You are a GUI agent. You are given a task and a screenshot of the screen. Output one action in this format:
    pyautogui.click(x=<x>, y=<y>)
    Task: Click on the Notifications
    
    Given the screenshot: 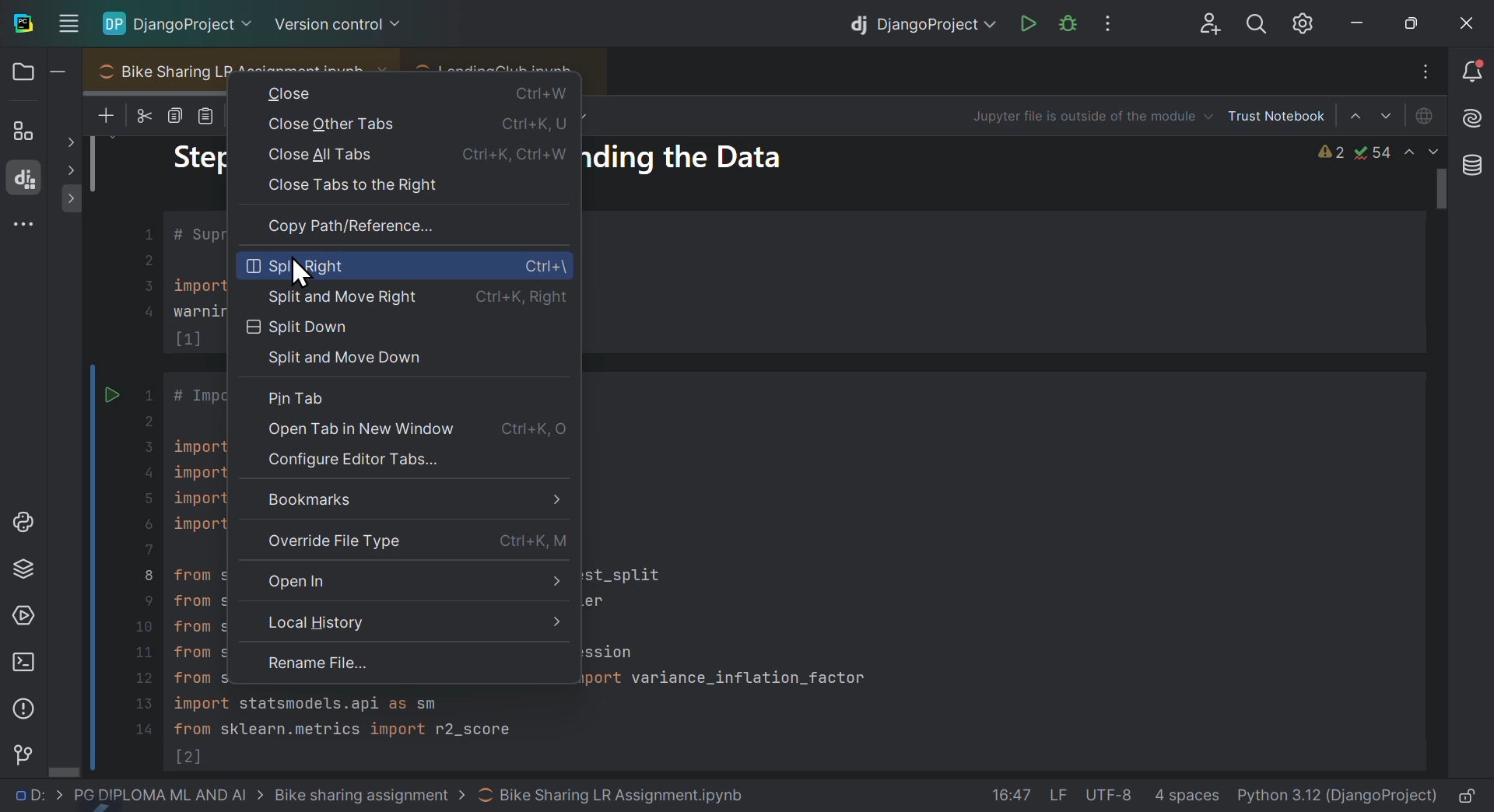 What is the action you would take?
    pyautogui.click(x=1470, y=73)
    